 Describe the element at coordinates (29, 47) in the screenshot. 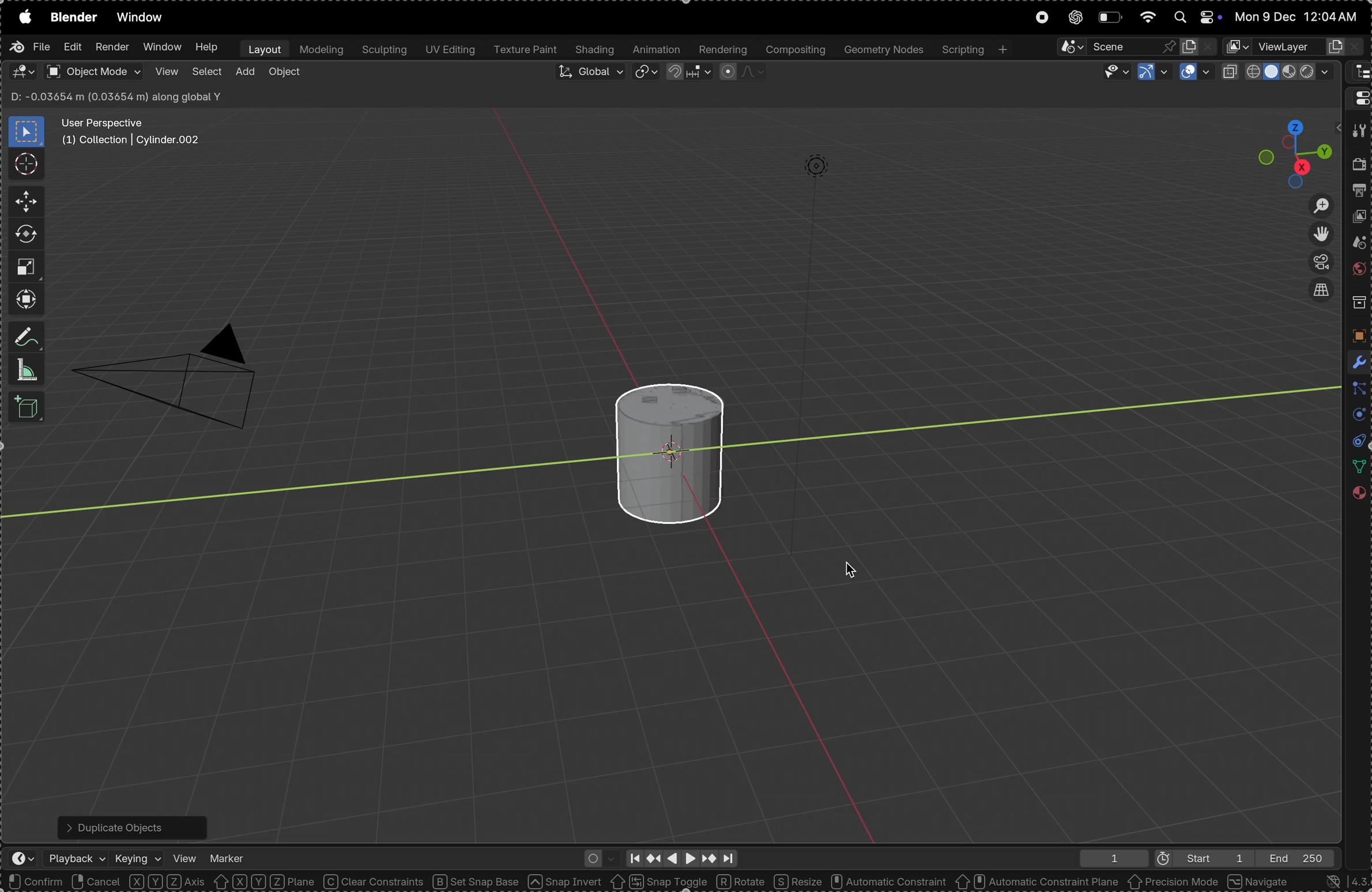

I see `file` at that location.